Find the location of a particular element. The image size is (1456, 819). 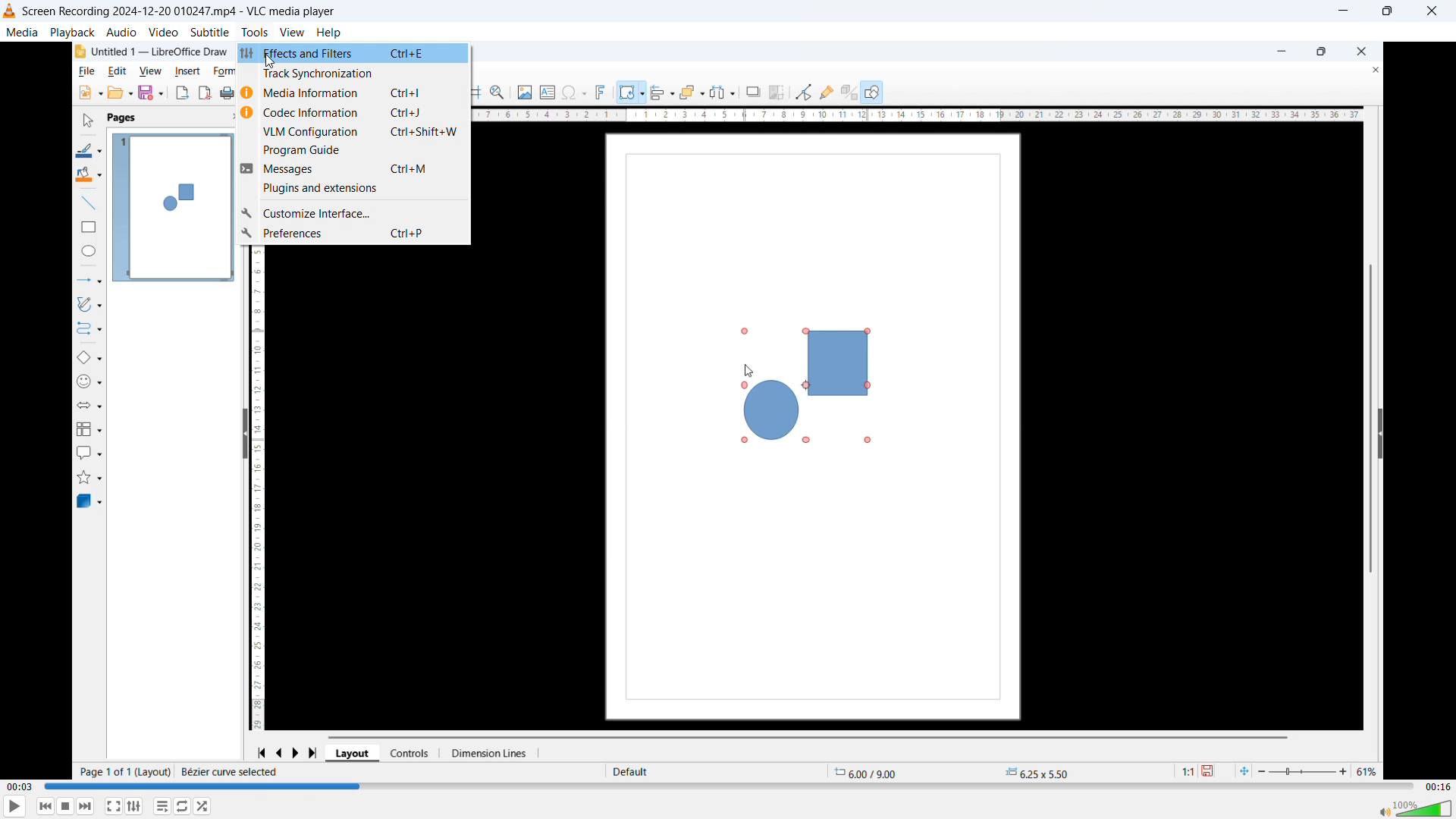

forward or next media  is located at coordinates (85, 807).